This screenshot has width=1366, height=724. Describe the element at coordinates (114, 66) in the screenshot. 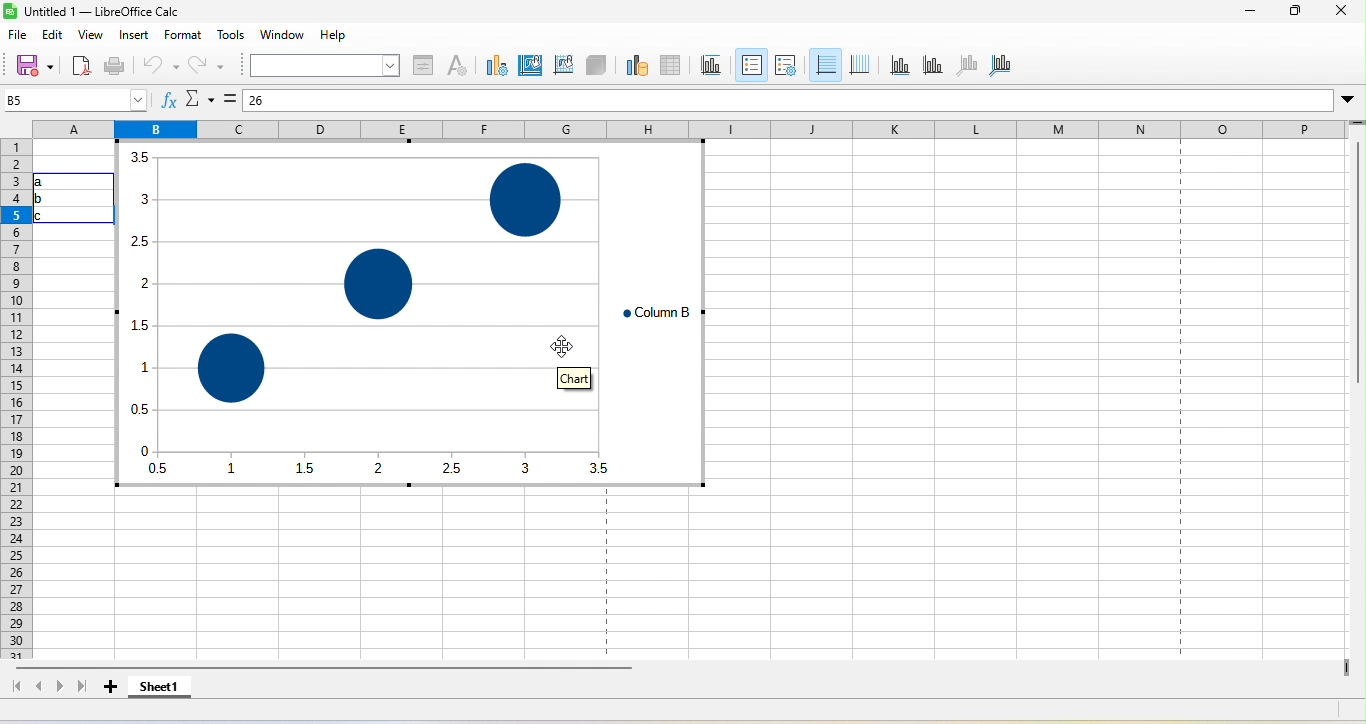

I see `print` at that location.